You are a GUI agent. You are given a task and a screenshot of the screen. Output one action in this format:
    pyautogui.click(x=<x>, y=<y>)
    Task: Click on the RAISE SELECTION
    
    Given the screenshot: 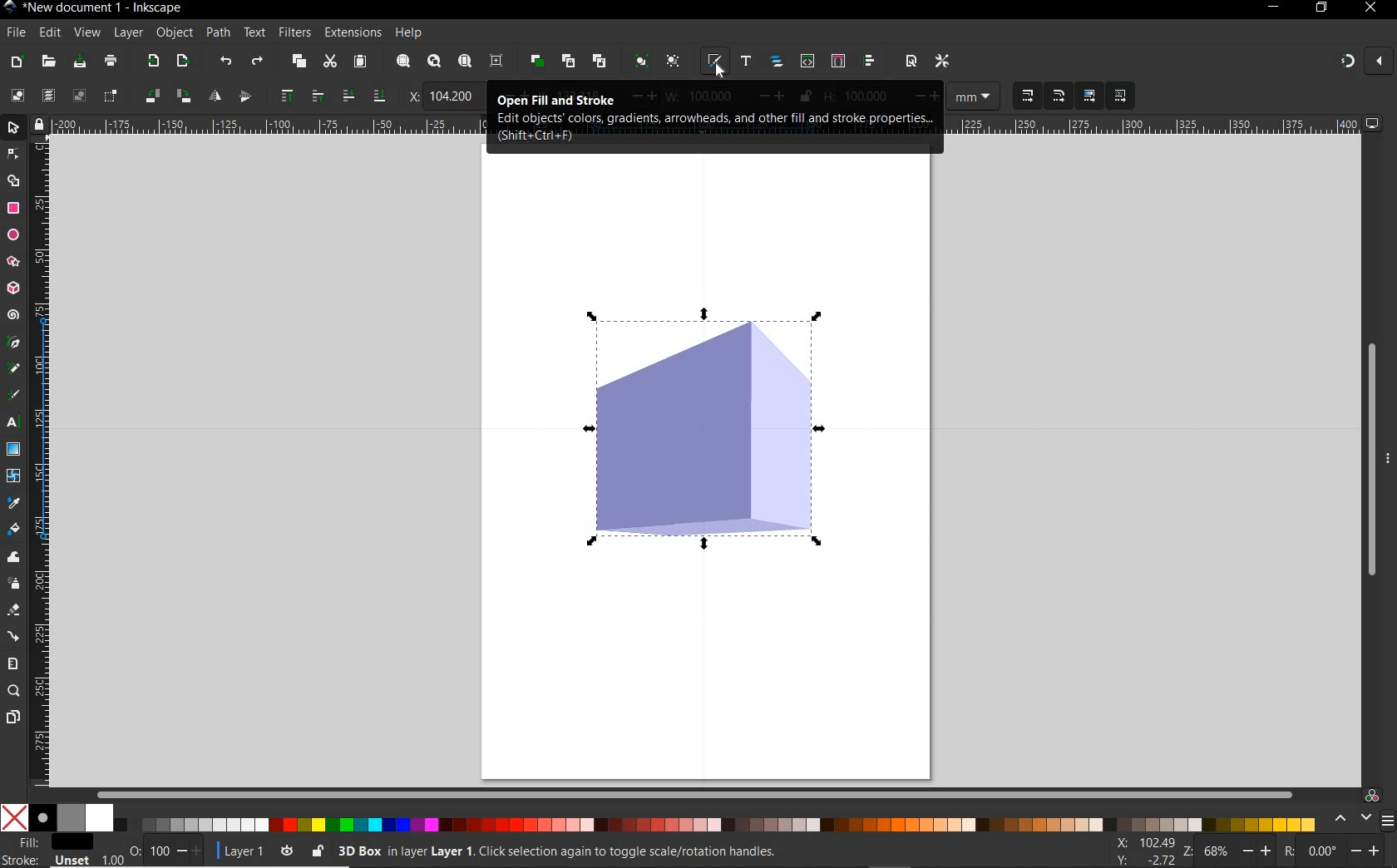 What is the action you would take?
    pyautogui.click(x=313, y=97)
    